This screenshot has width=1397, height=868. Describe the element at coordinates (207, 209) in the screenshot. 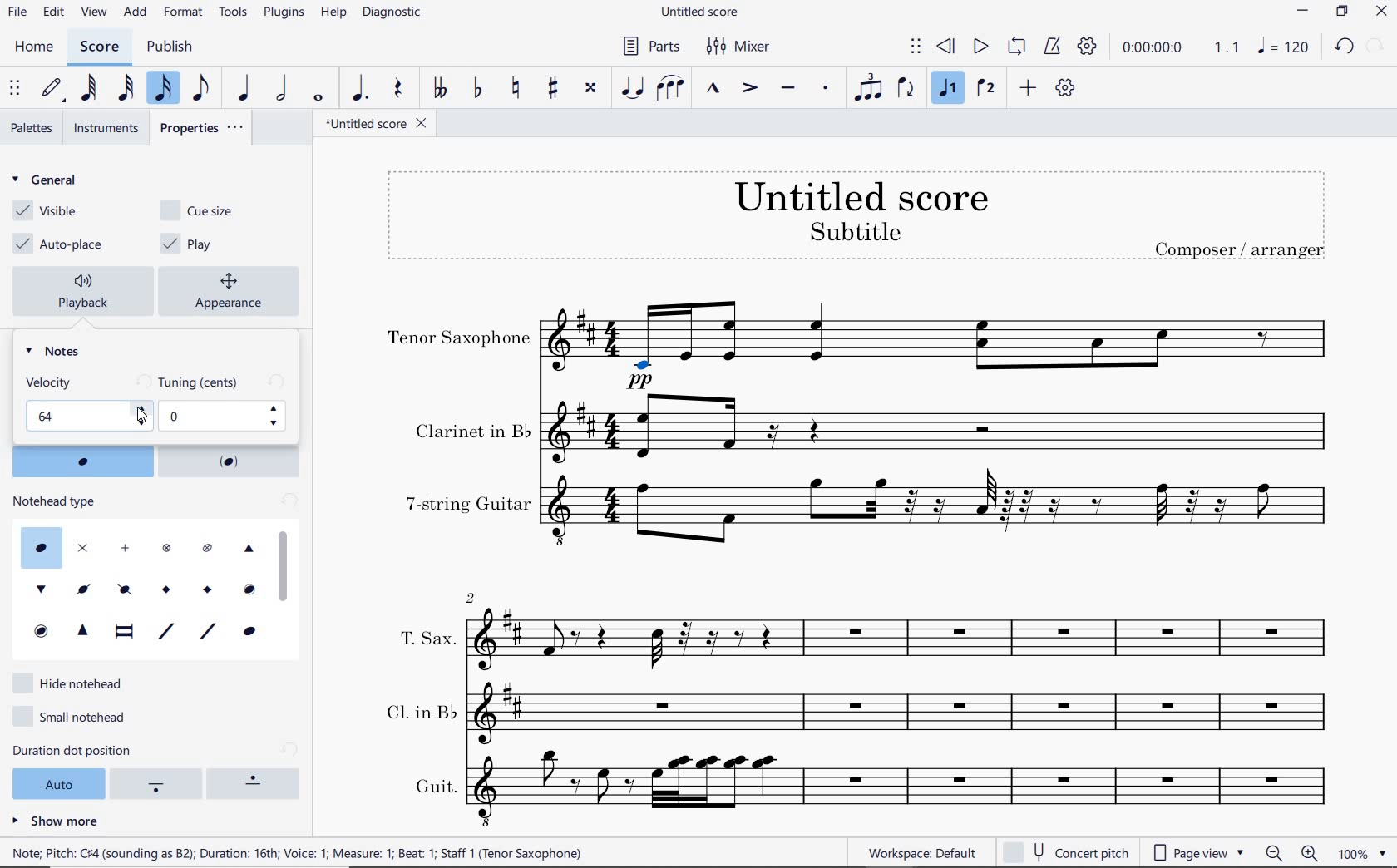

I see `cue size` at that location.